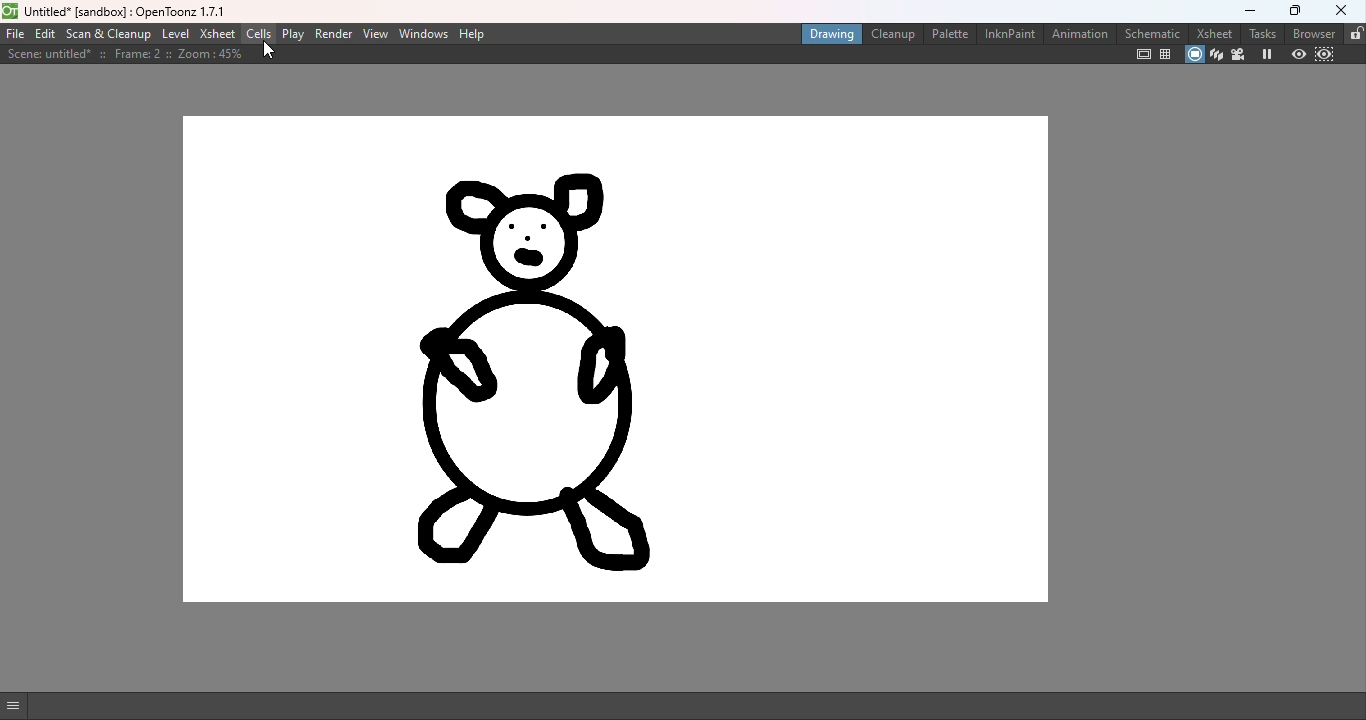 The height and width of the screenshot is (720, 1366). I want to click on Freeze, so click(1268, 55).